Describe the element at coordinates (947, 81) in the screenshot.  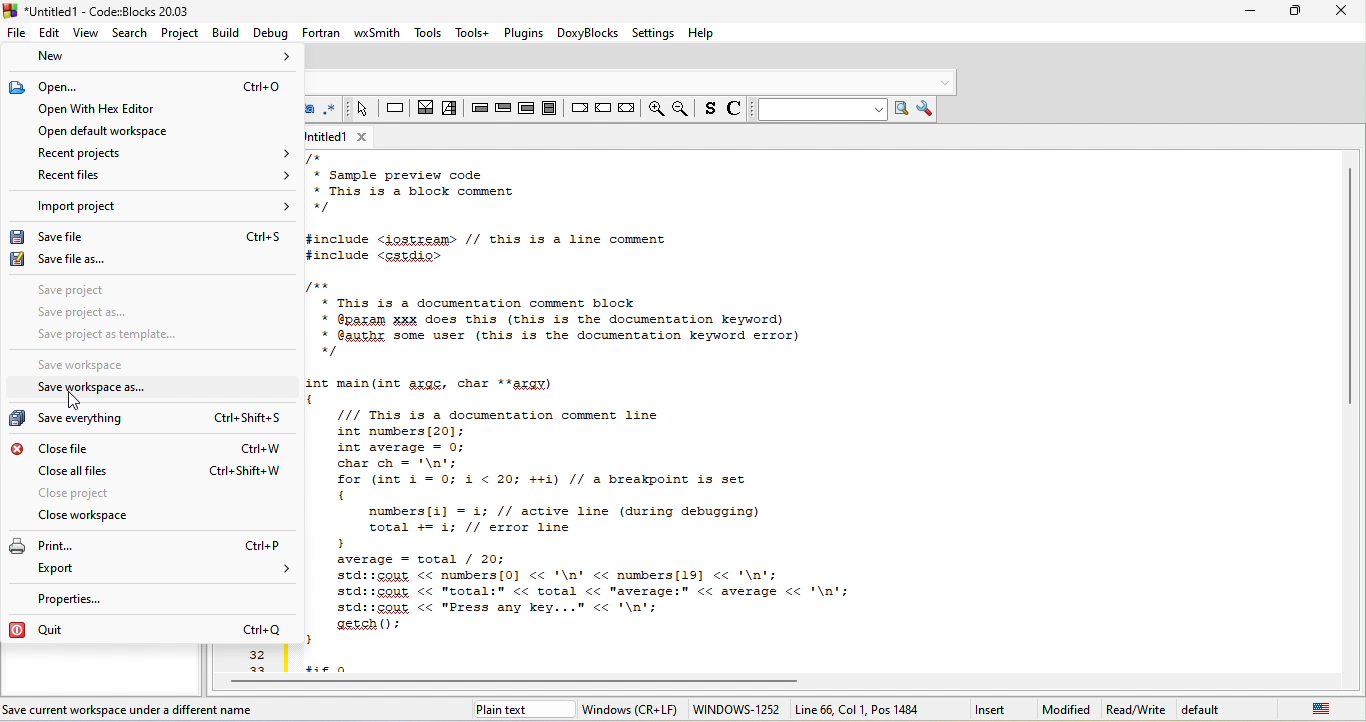
I see `dropdown` at that location.